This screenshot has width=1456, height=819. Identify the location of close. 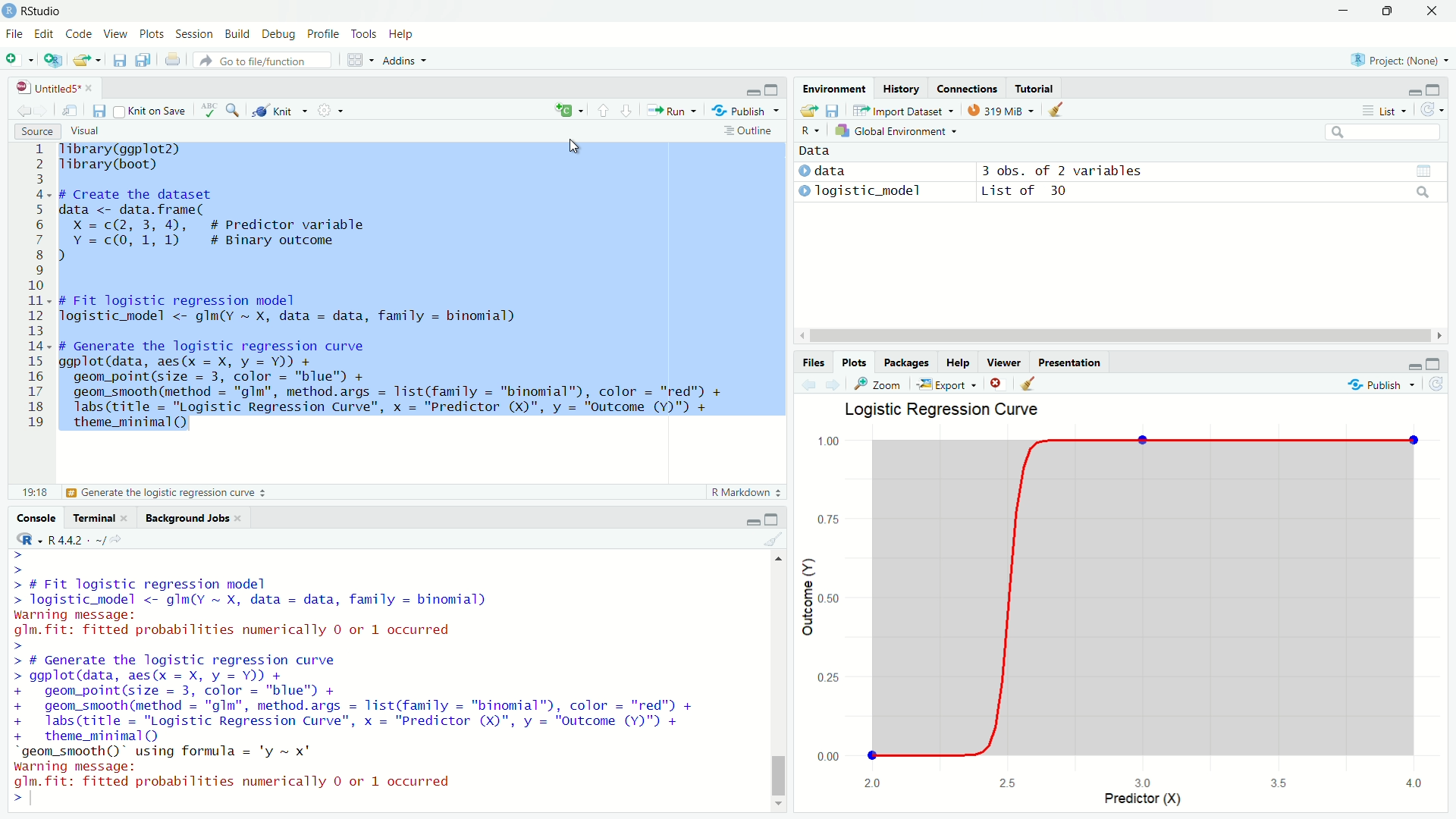
(1431, 11).